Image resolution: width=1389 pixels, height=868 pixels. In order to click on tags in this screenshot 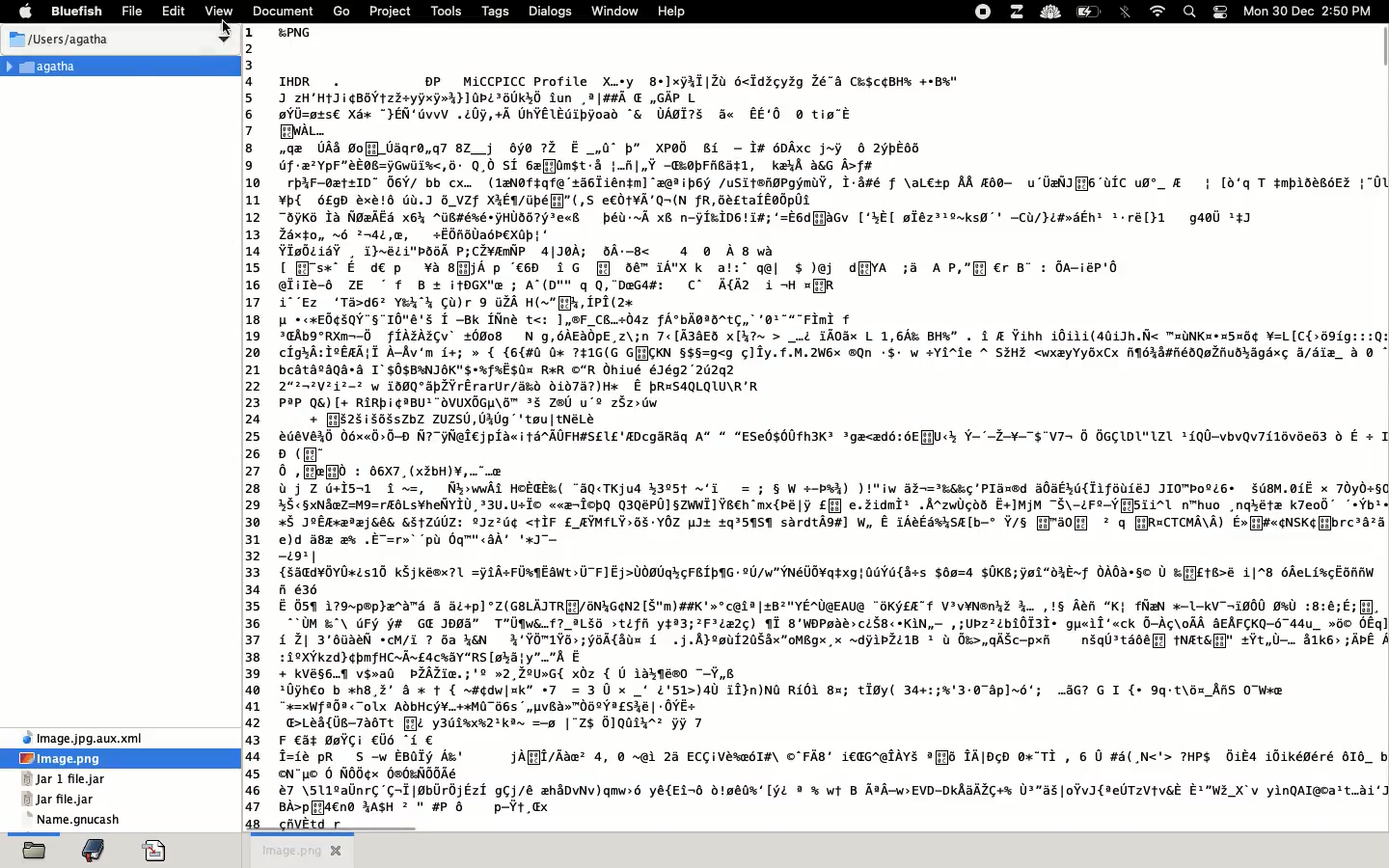, I will do `click(500, 11)`.